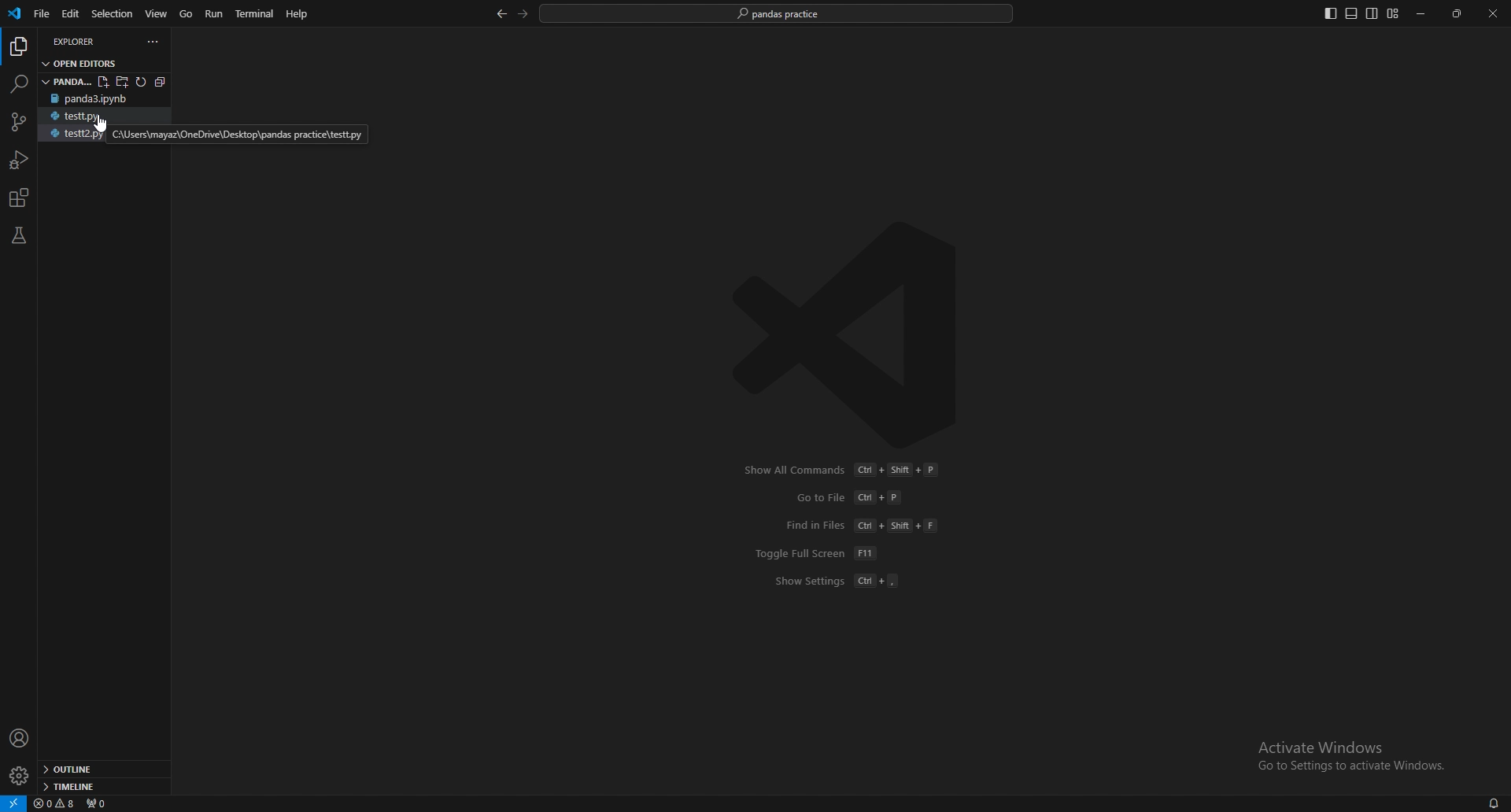 This screenshot has width=1511, height=812. Describe the element at coordinates (844, 536) in the screenshot. I see `Show All Commands Ct + Shift + P
GotoFile Cl +P
Find in Files (Ct + Shit + F
Toggle Full Screen [FT
Show Settings (Cl +,` at that location.